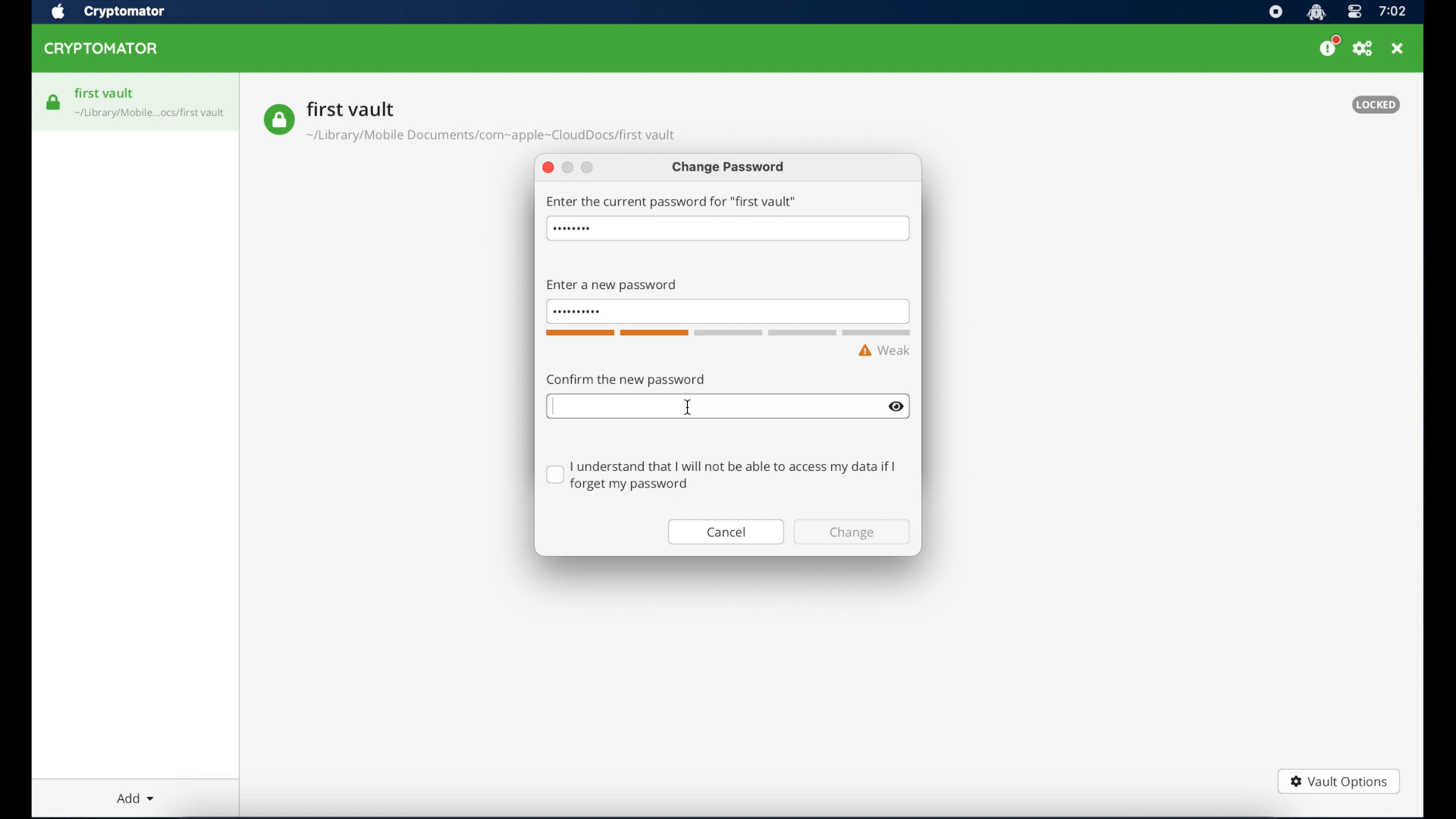  What do you see at coordinates (1316, 13) in the screenshot?
I see `cryptomator icon` at bounding box center [1316, 13].